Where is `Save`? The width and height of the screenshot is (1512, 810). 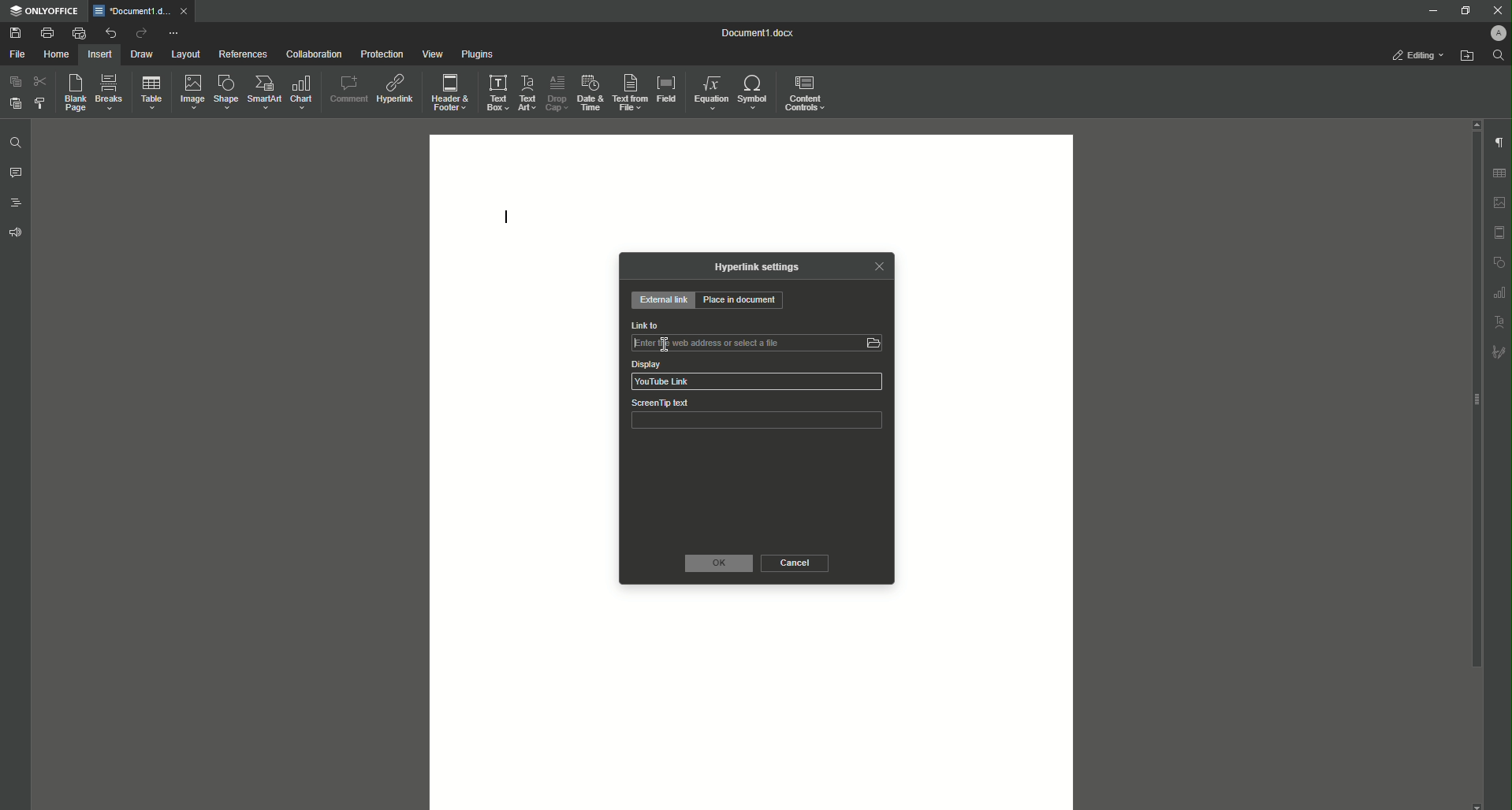
Save is located at coordinates (14, 32).